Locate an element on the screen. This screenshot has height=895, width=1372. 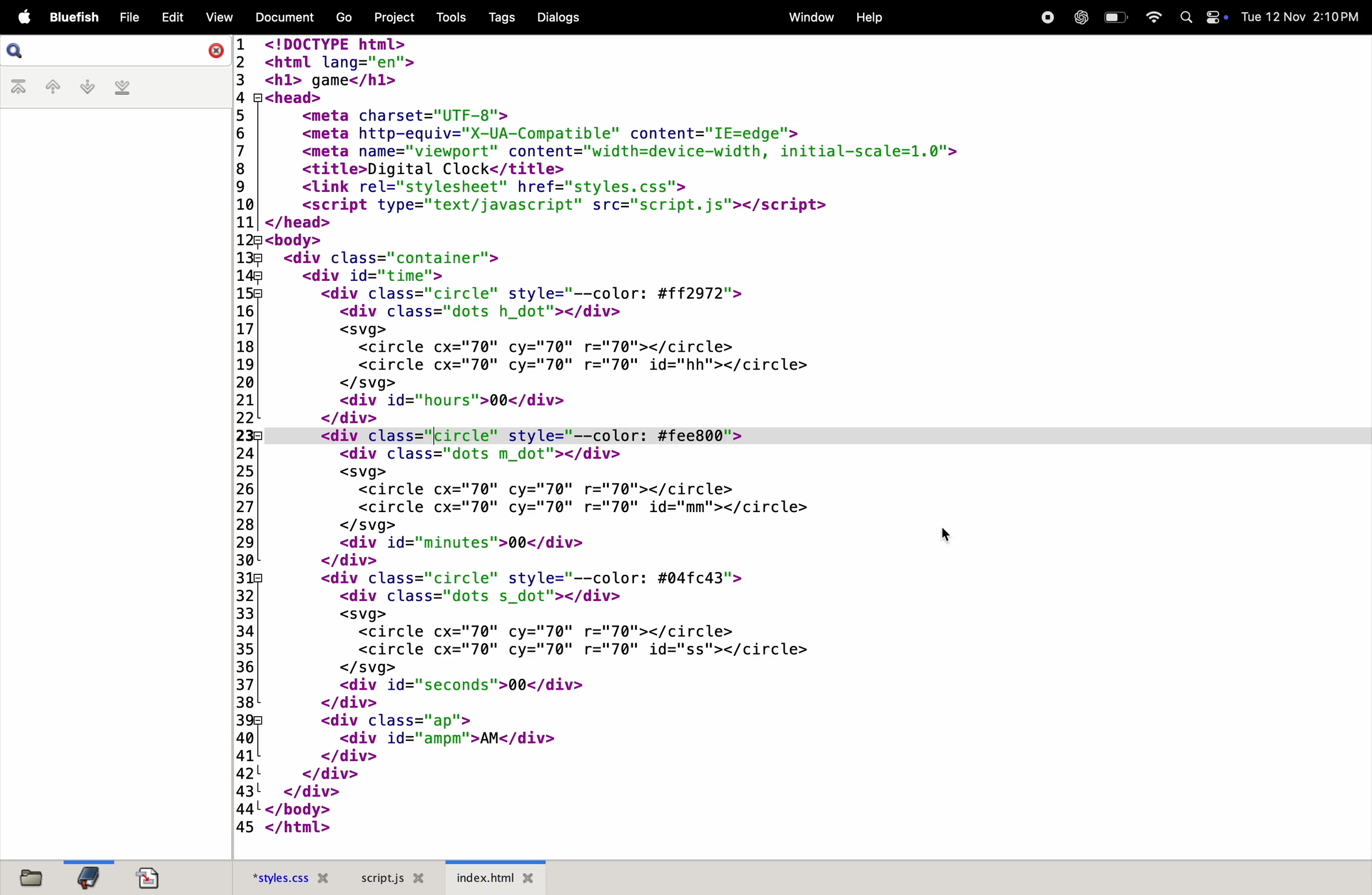
code block is located at coordinates (574, 644).